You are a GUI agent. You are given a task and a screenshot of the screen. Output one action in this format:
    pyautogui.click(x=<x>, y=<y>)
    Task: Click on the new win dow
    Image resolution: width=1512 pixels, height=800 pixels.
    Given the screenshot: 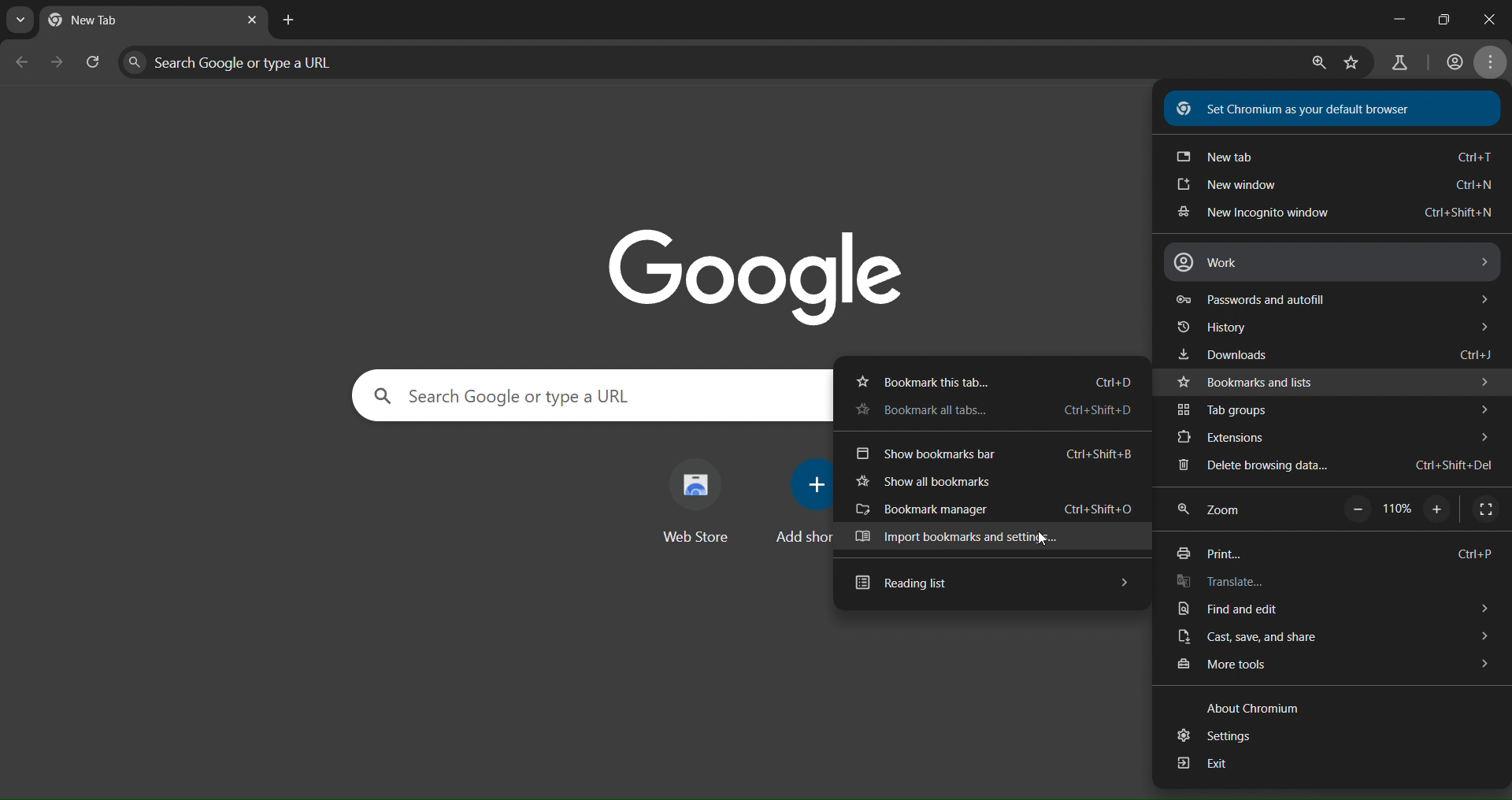 What is the action you would take?
    pyautogui.click(x=1333, y=184)
    